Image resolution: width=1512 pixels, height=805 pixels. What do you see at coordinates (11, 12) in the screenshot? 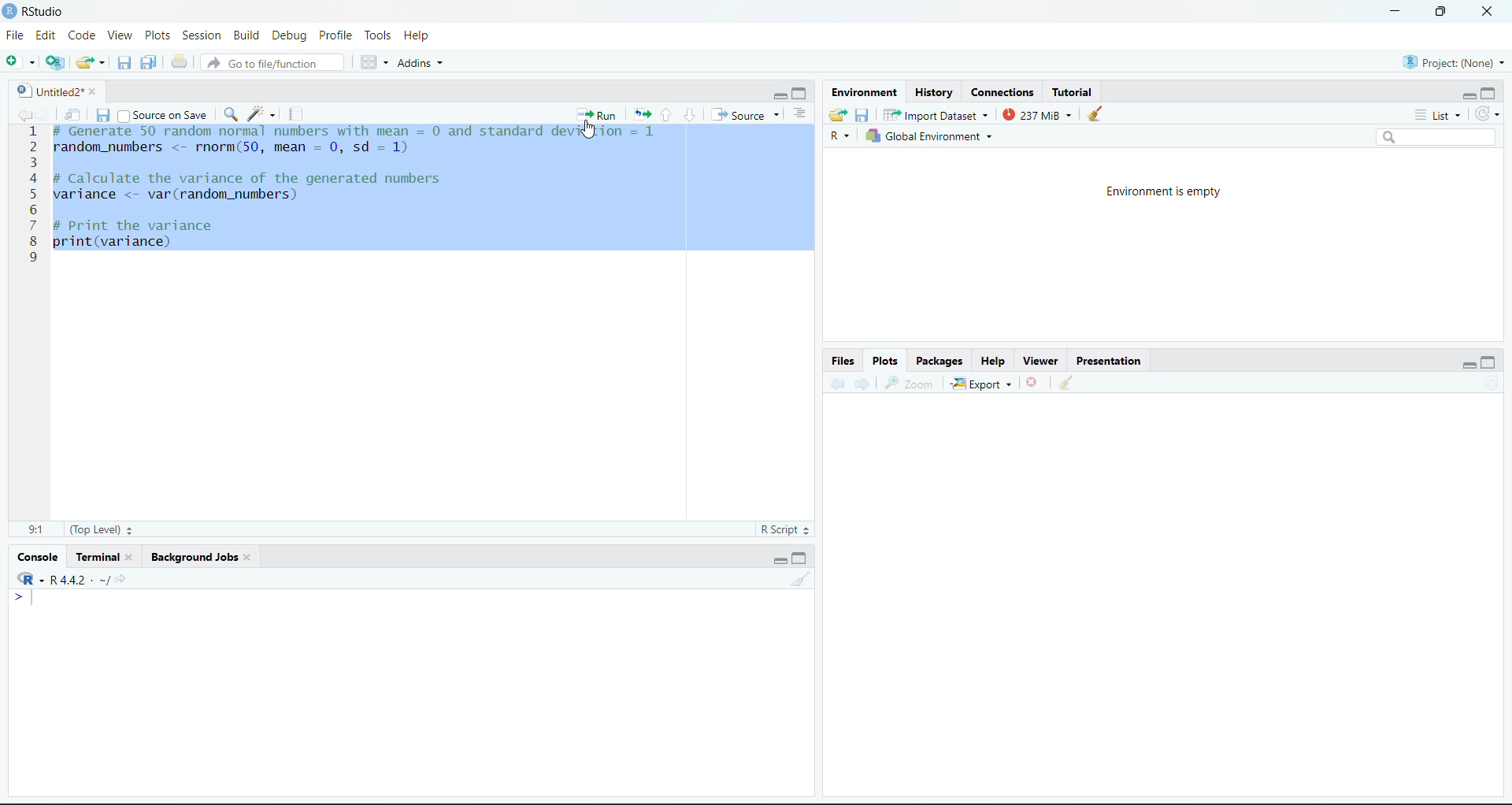
I see `logo` at bounding box center [11, 12].